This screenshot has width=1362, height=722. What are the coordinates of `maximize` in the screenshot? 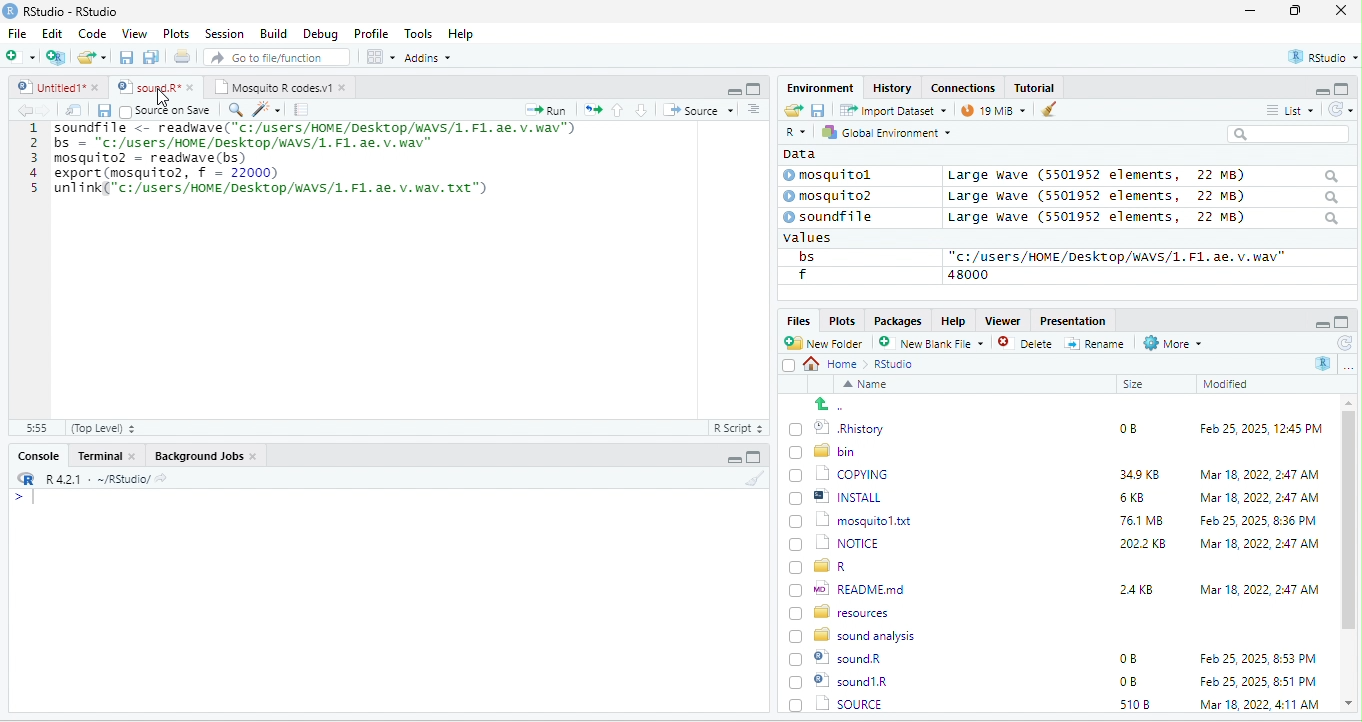 It's located at (1342, 322).